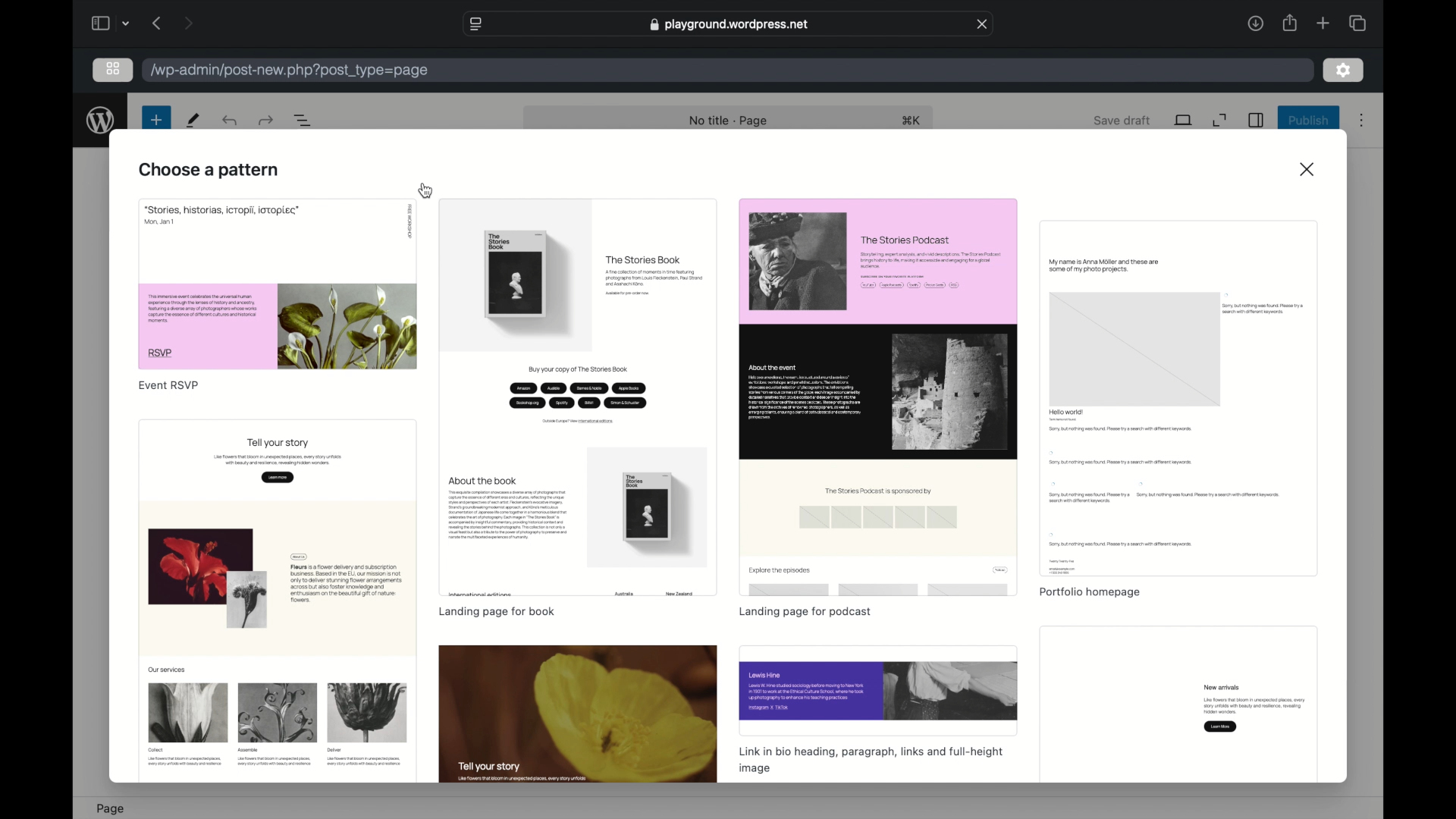  What do you see at coordinates (1178, 398) in the screenshot?
I see `preview` at bounding box center [1178, 398].